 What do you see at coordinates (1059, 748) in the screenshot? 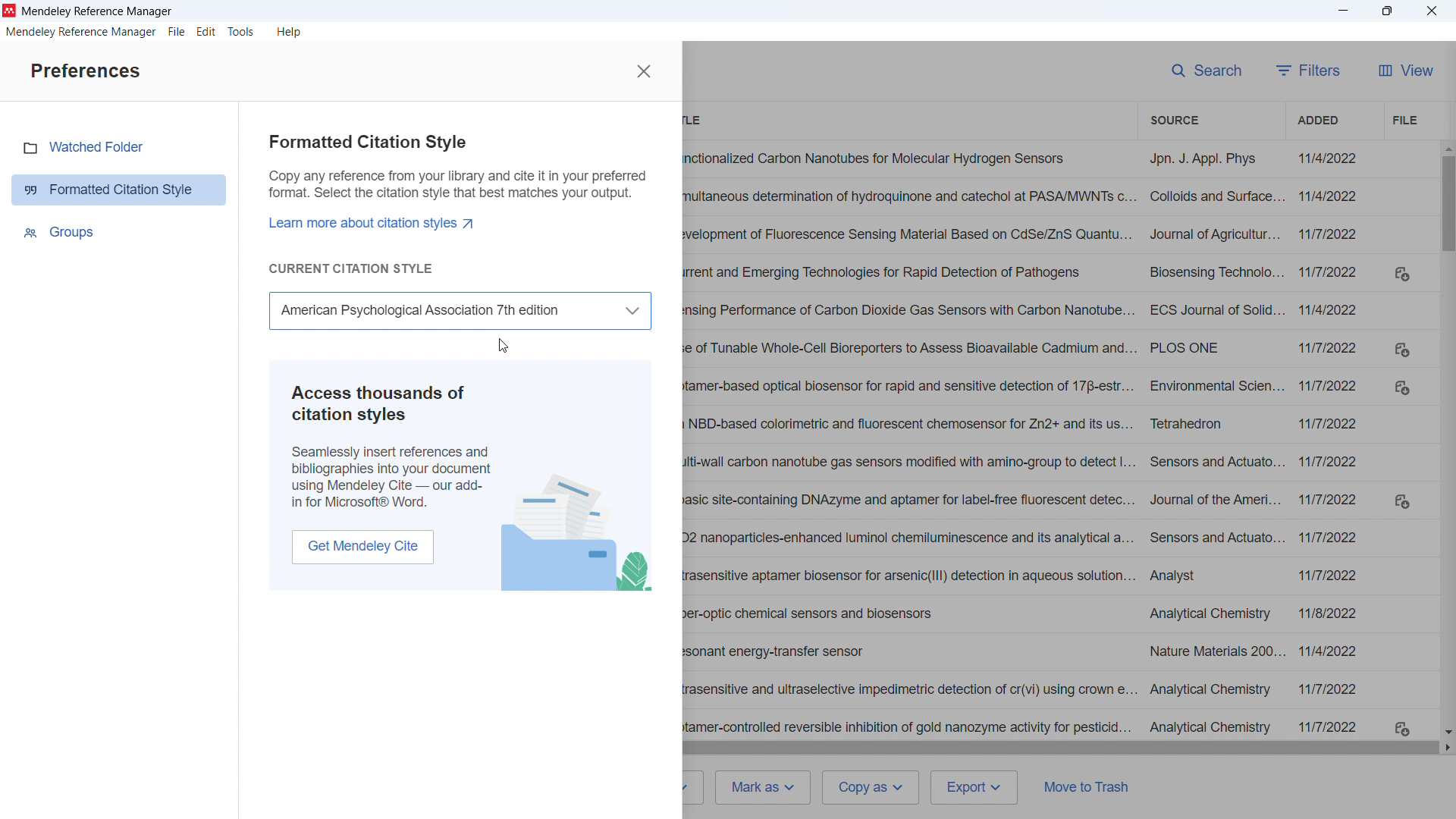
I see `Horizontal scroll bar` at bounding box center [1059, 748].